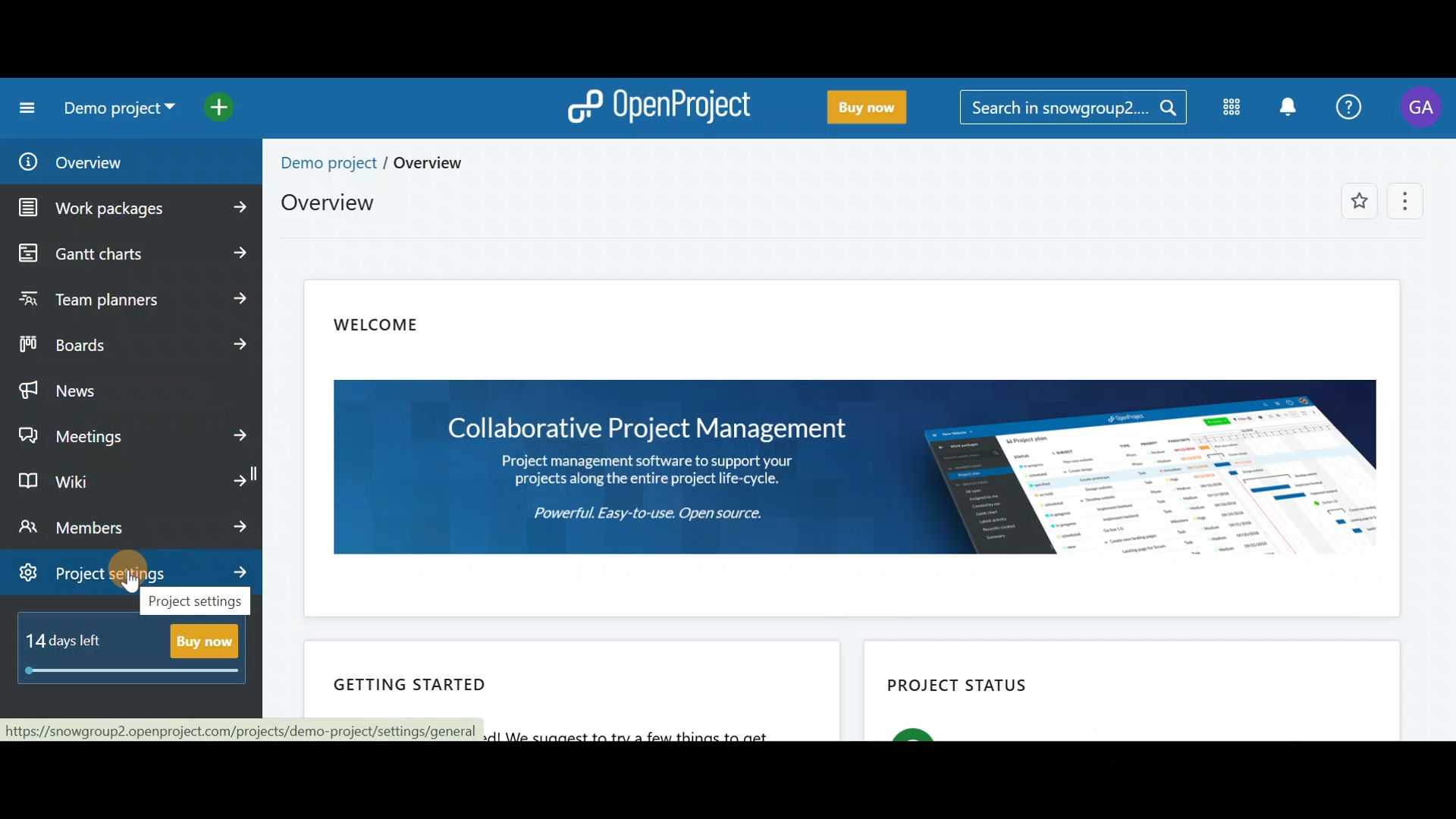 The image size is (1456, 819). What do you see at coordinates (1347, 111) in the screenshot?
I see `Help` at bounding box center [1347, 111].